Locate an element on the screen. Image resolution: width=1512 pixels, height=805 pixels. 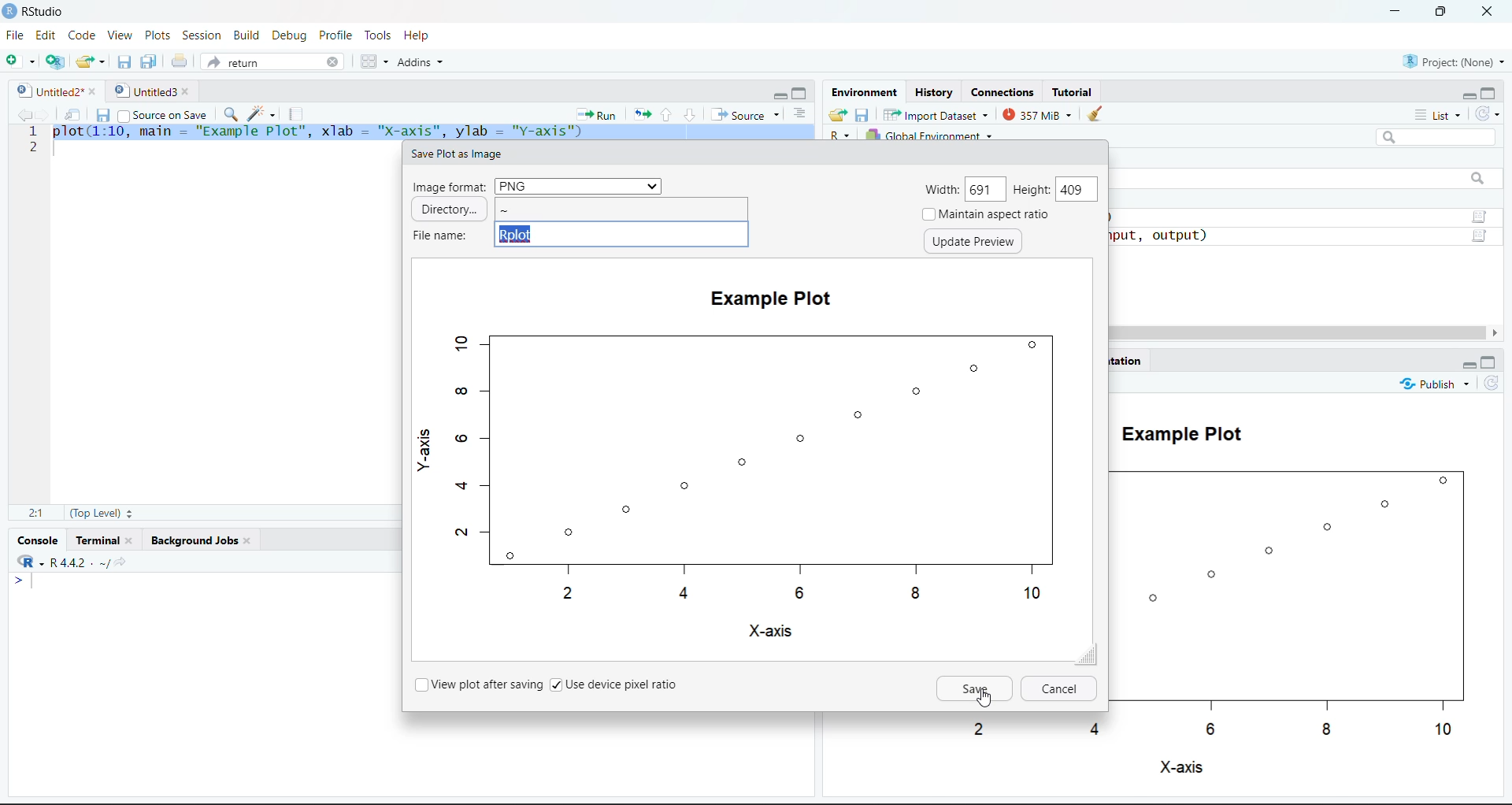
Source the contents of the active document is located at coordinates (742, 112).